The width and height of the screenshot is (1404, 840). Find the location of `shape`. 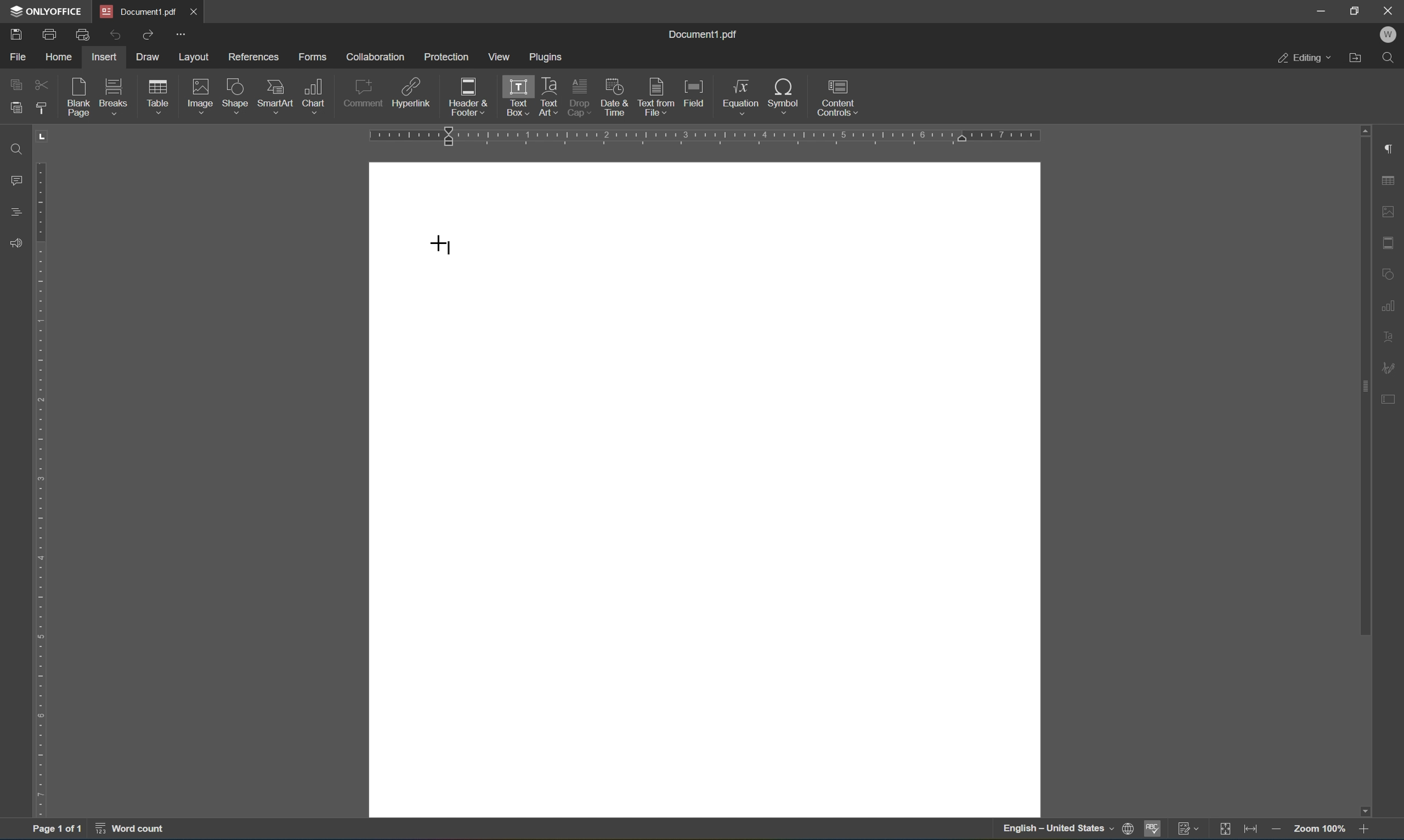

shape is located at coordinates (238, 97).